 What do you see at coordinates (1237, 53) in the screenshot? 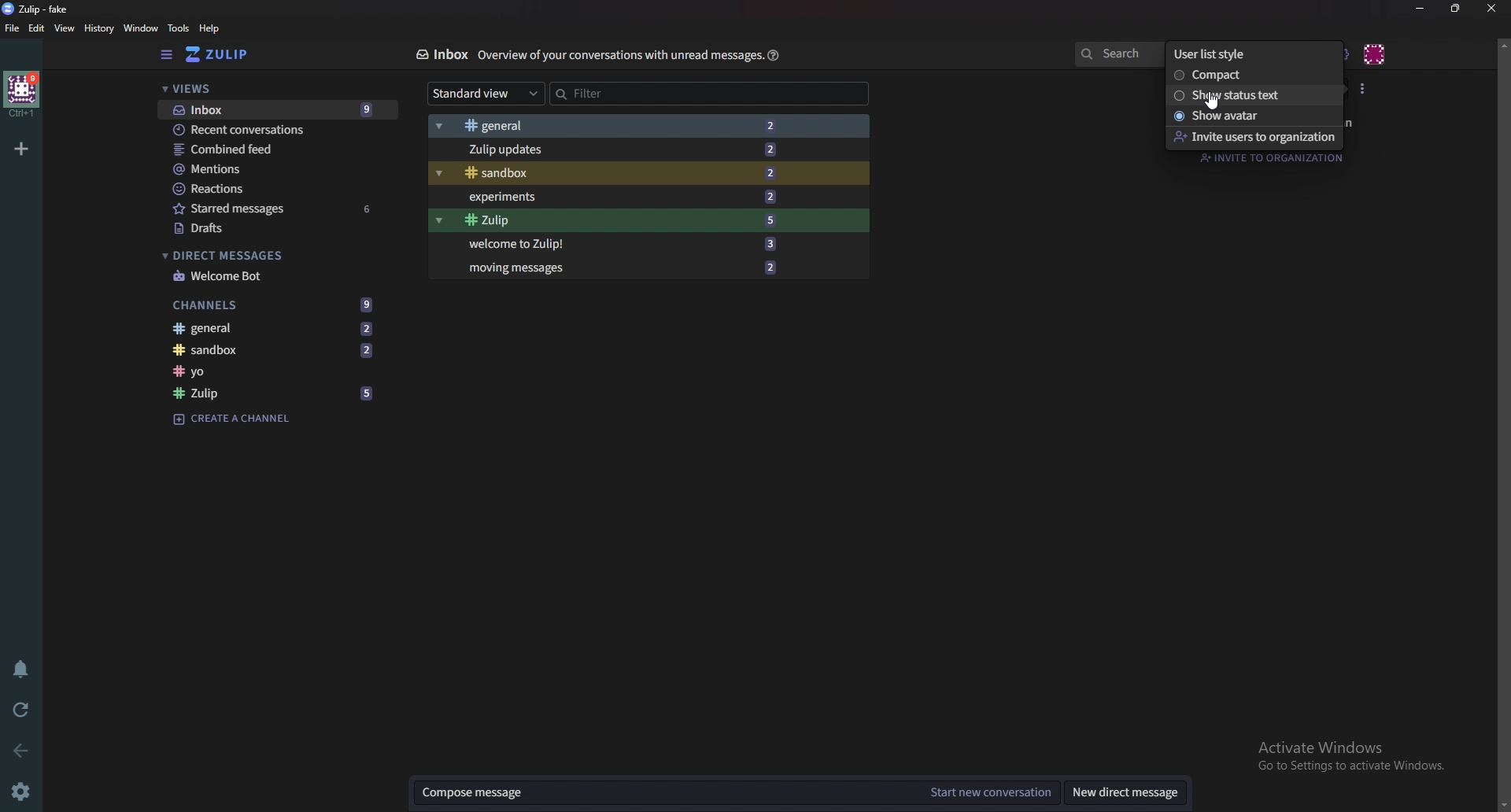
I see `user list style` at bounding box center [1237, 53].